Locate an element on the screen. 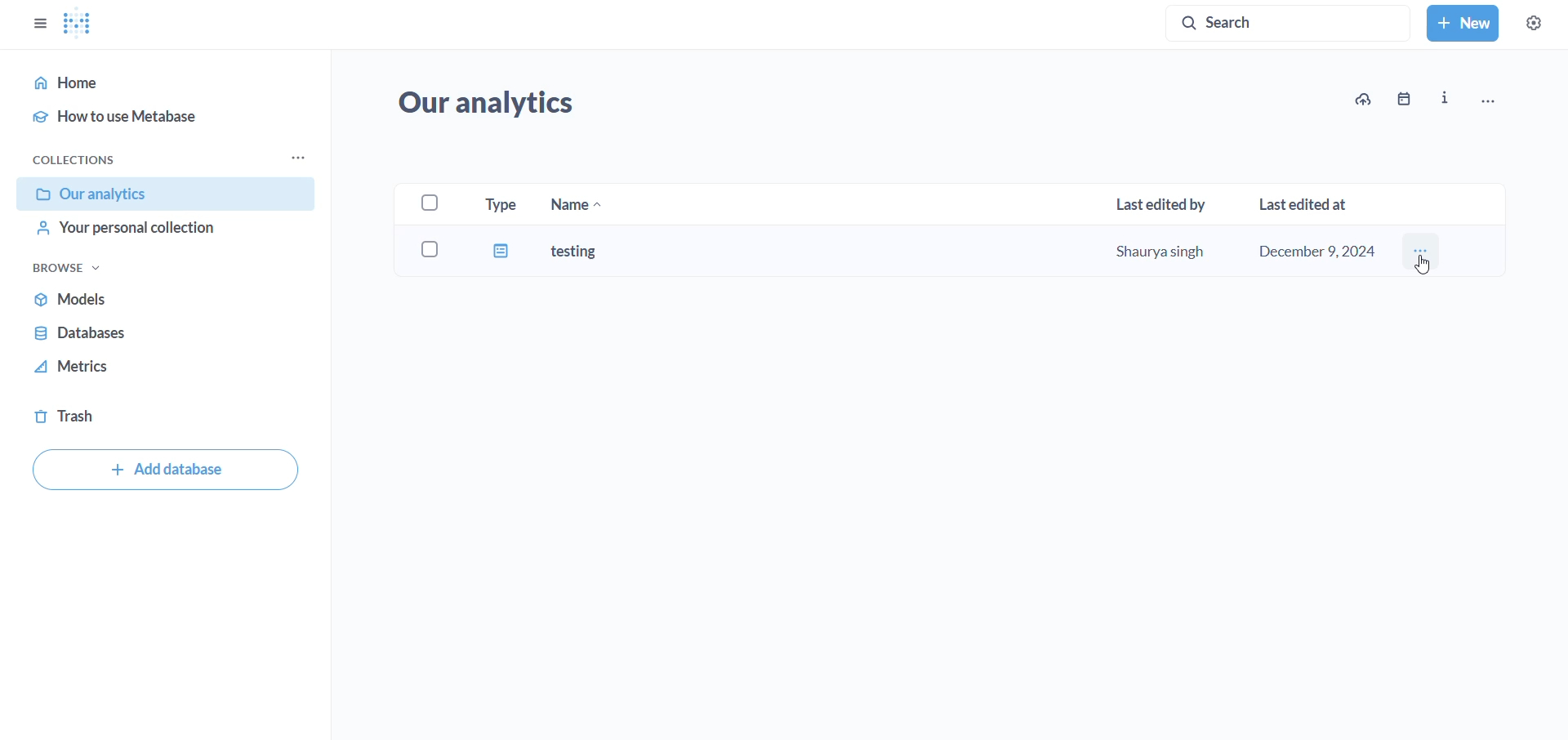  settings is located at coordinates (1532, 23).